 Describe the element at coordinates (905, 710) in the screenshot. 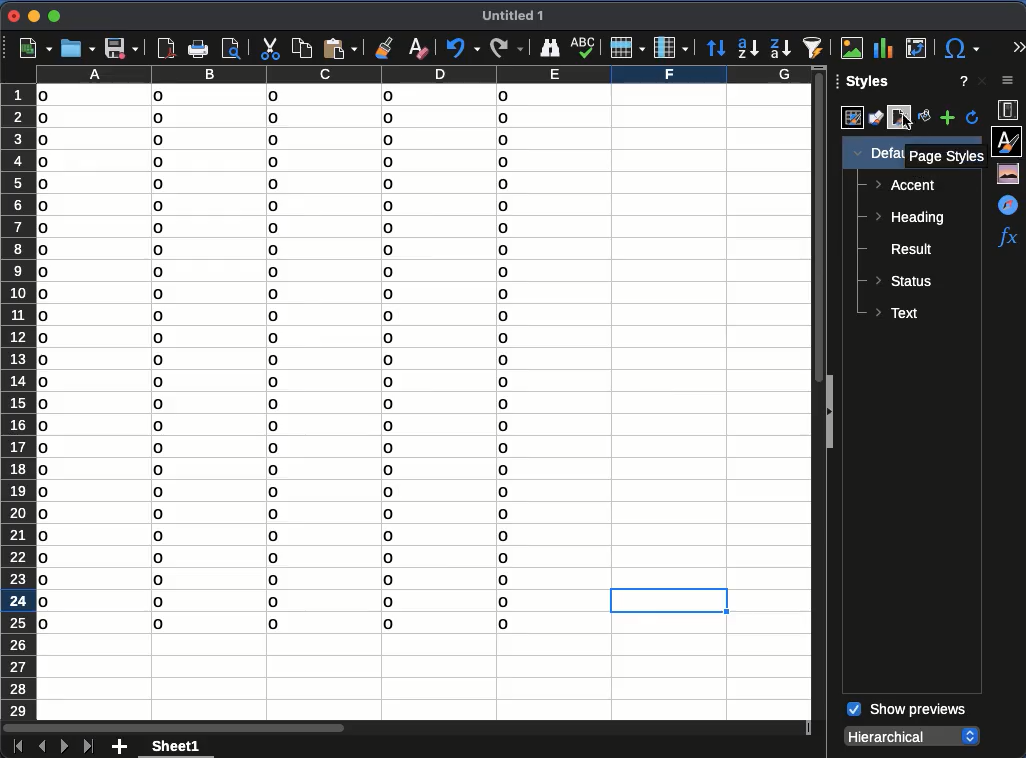

I see `show previews` at that location.